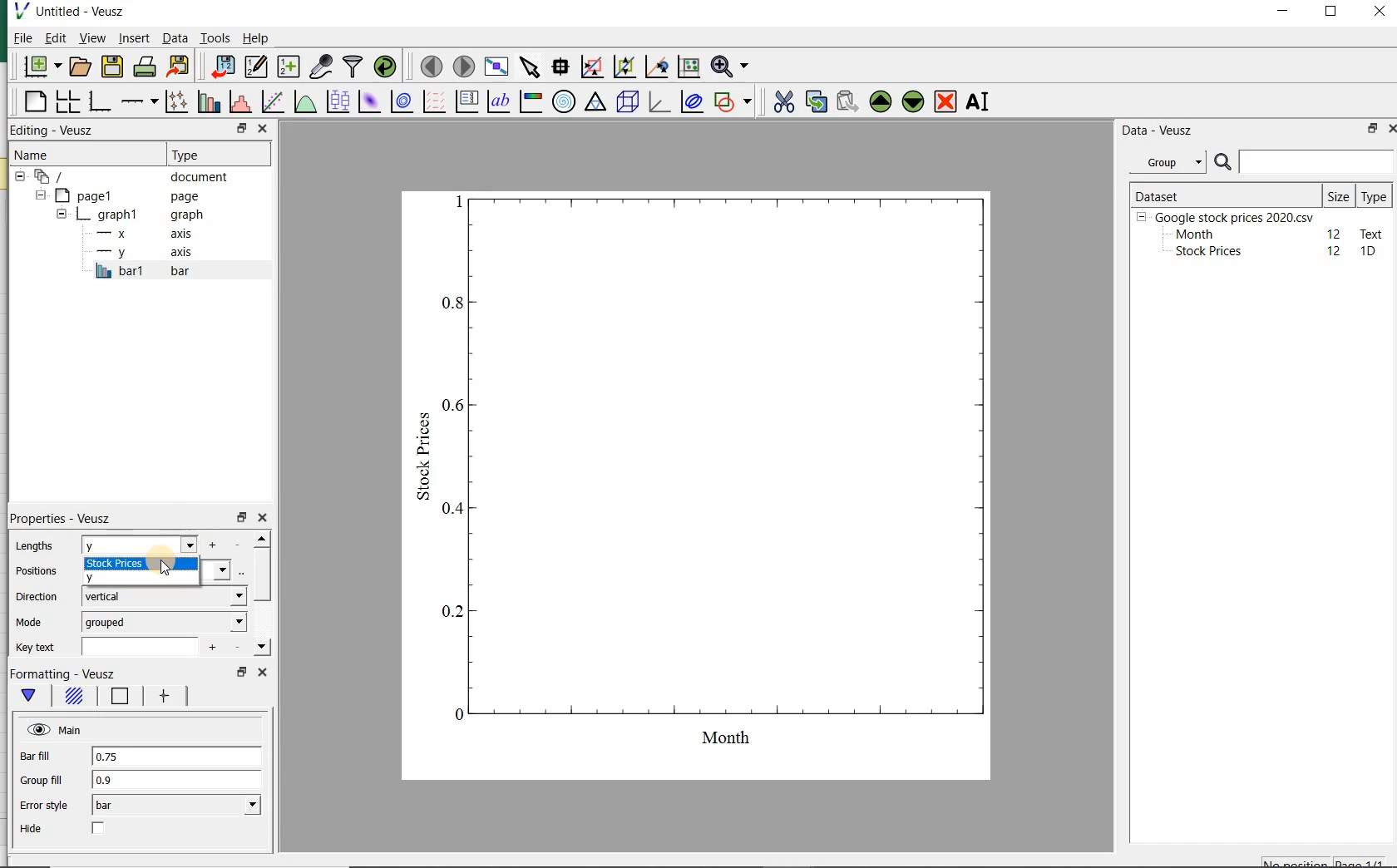  I want to click on import data into Veusz, so click(220, 67).